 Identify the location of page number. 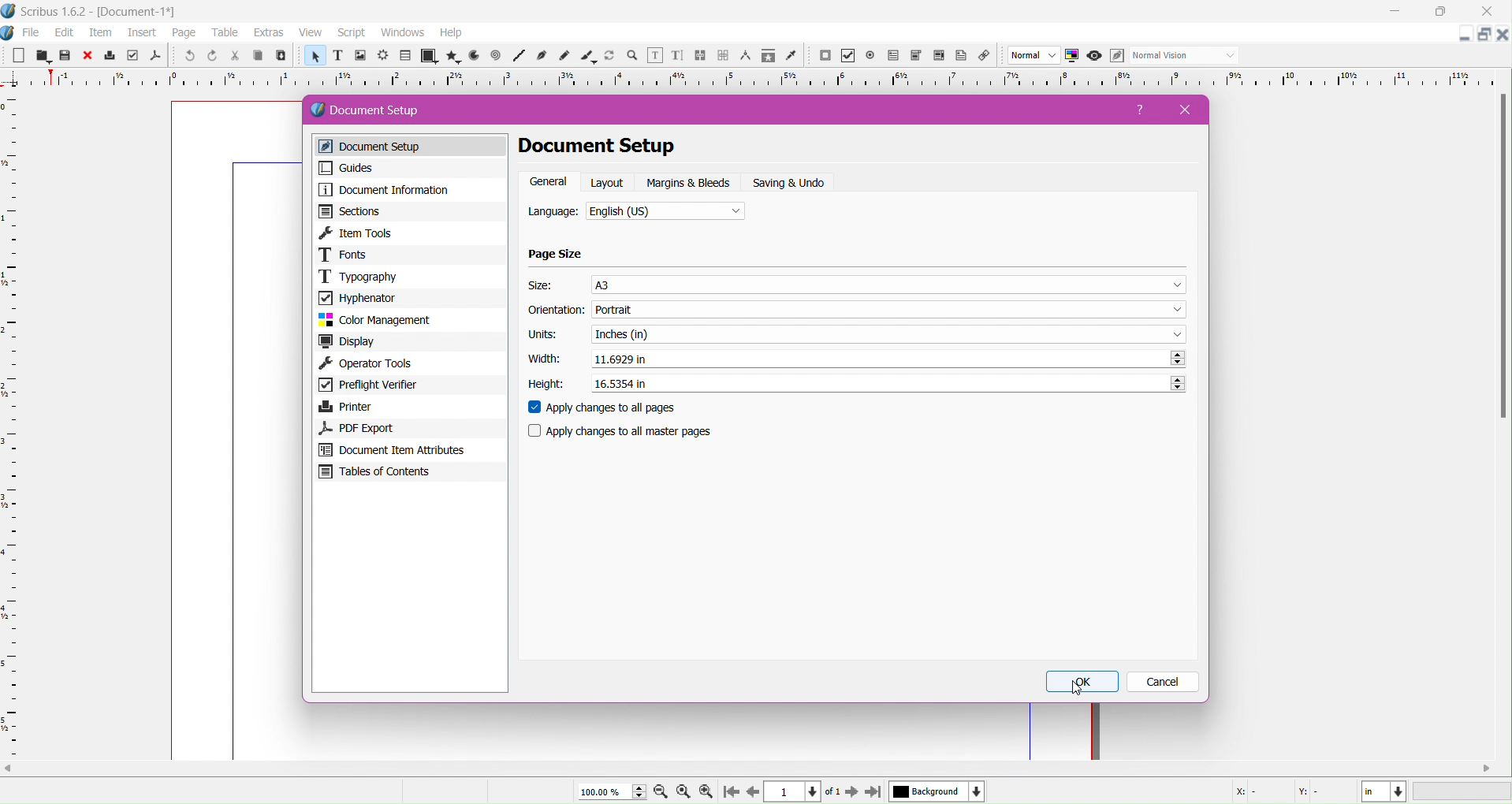
(795, 792).